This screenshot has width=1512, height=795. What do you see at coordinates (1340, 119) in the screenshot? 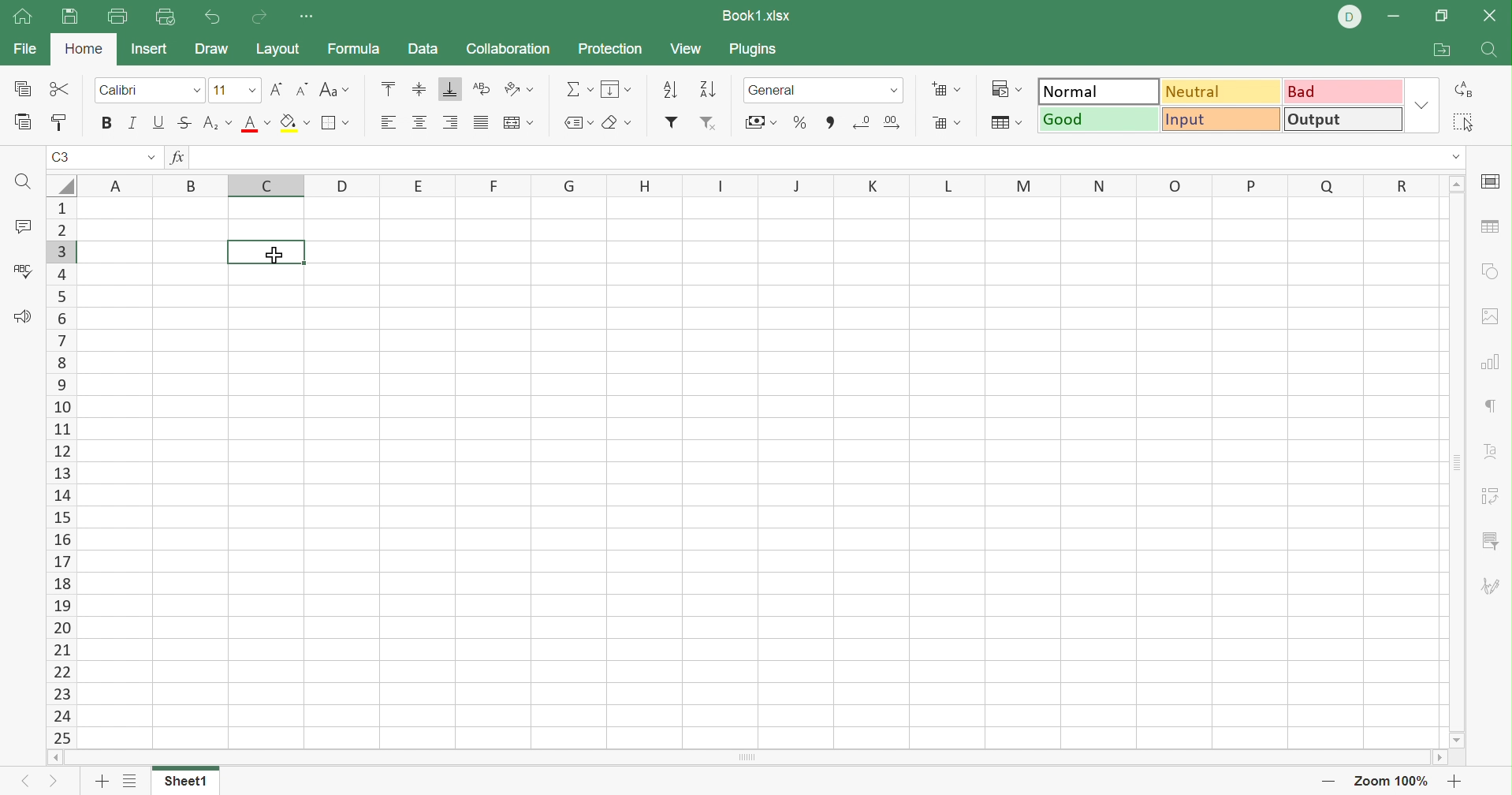
I see `Output` at bounding box center [1340, 119].